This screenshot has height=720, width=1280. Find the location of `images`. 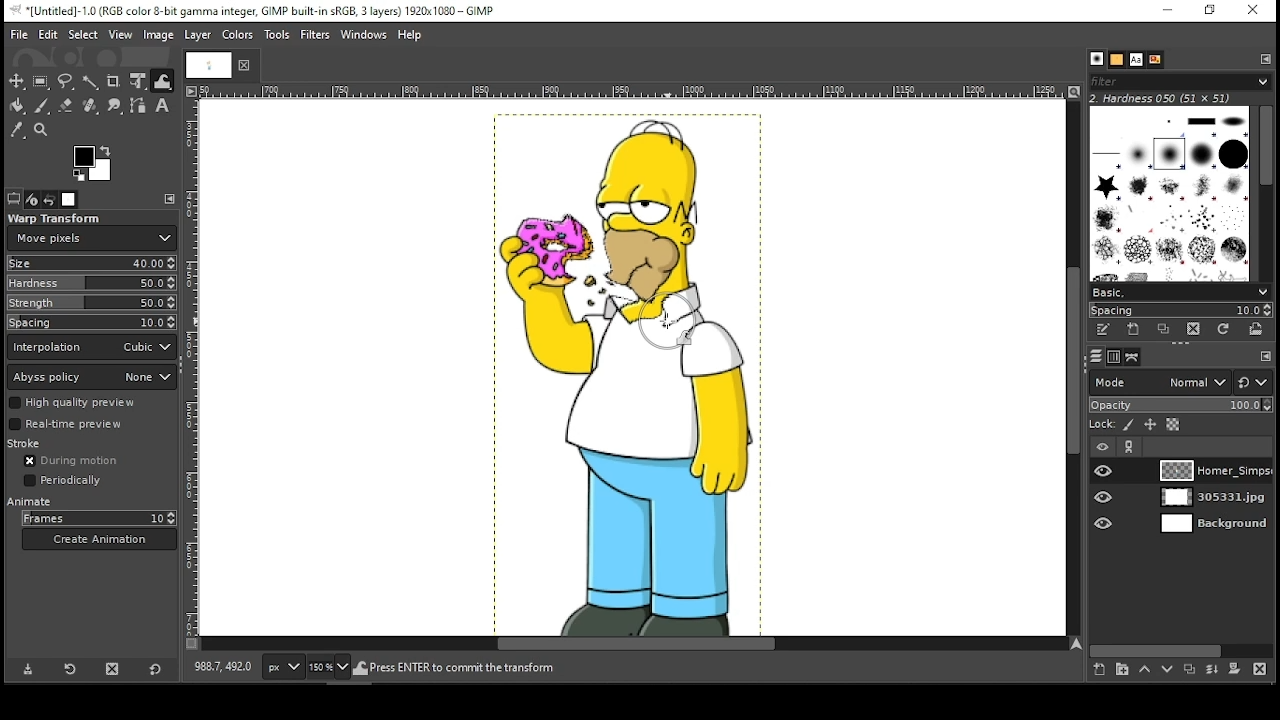

images is located at coordinates (68, 200).